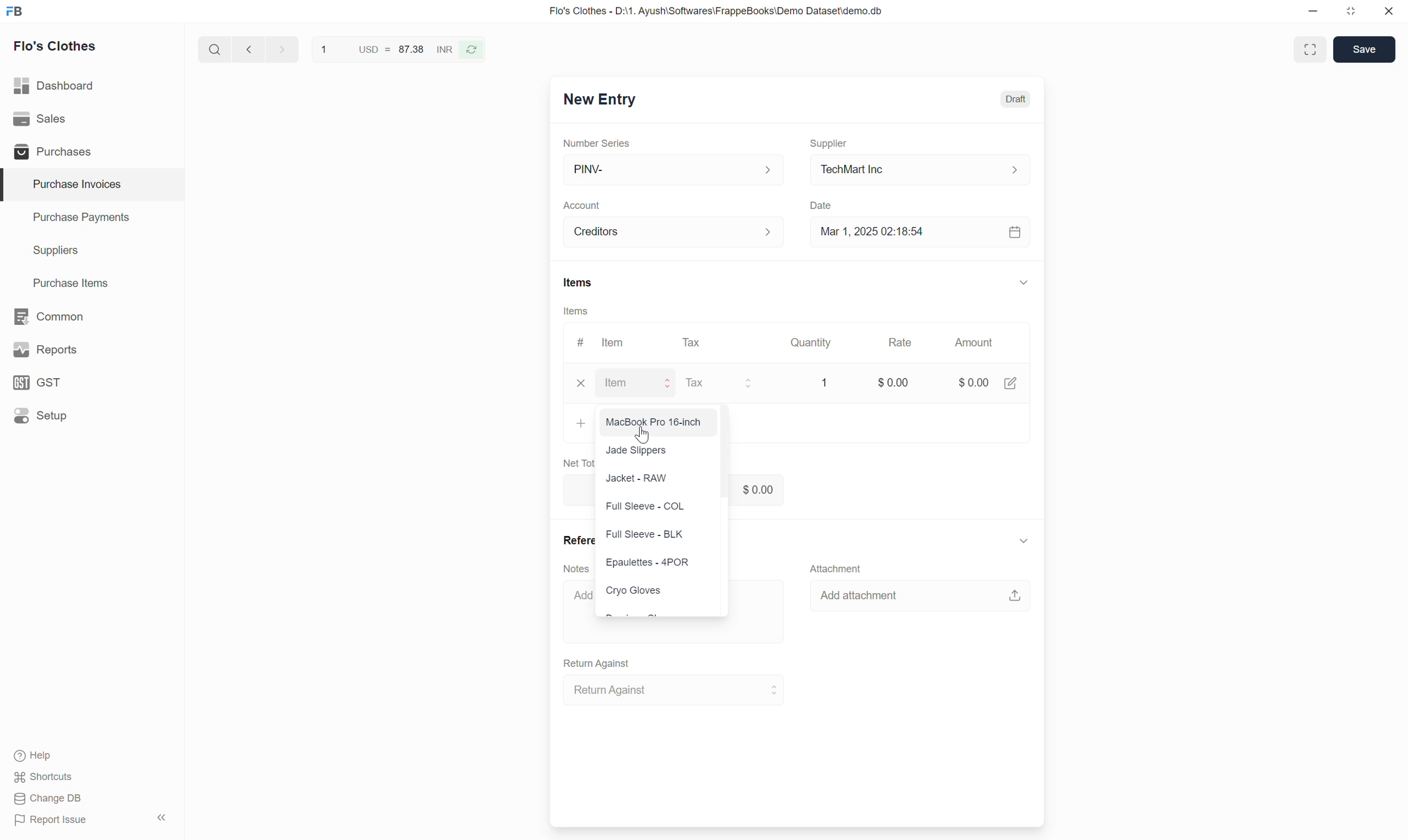 The width and height of the screenshot is (1408, 840). Describe the element at coordinates (92, 350) in the screenshot. I see `Reports` at that location.